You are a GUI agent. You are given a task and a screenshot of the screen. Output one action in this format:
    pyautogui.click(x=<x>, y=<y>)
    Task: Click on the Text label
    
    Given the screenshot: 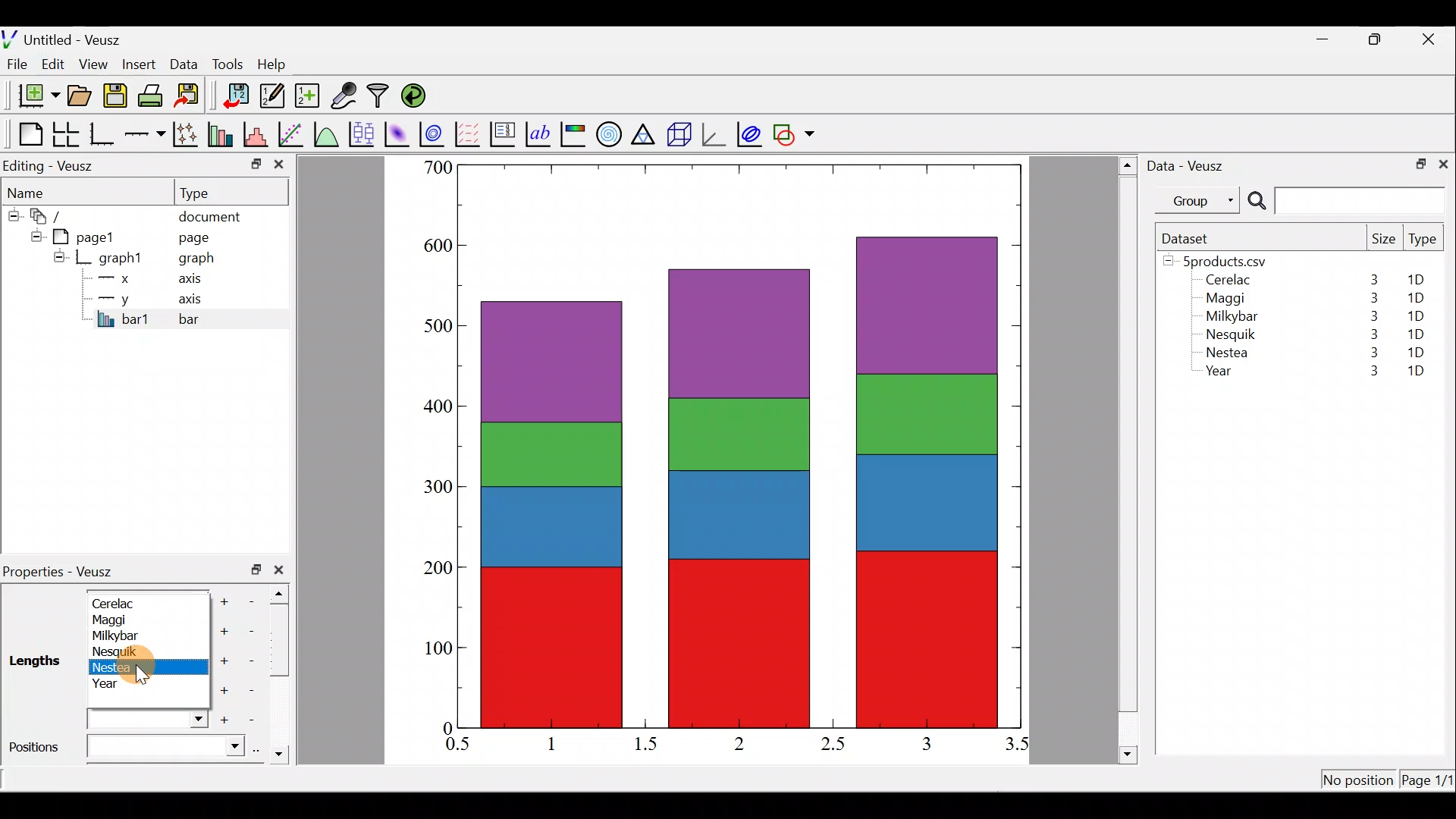 What is the action you would take?
    pyautogui.click(x=540, y=132)
    